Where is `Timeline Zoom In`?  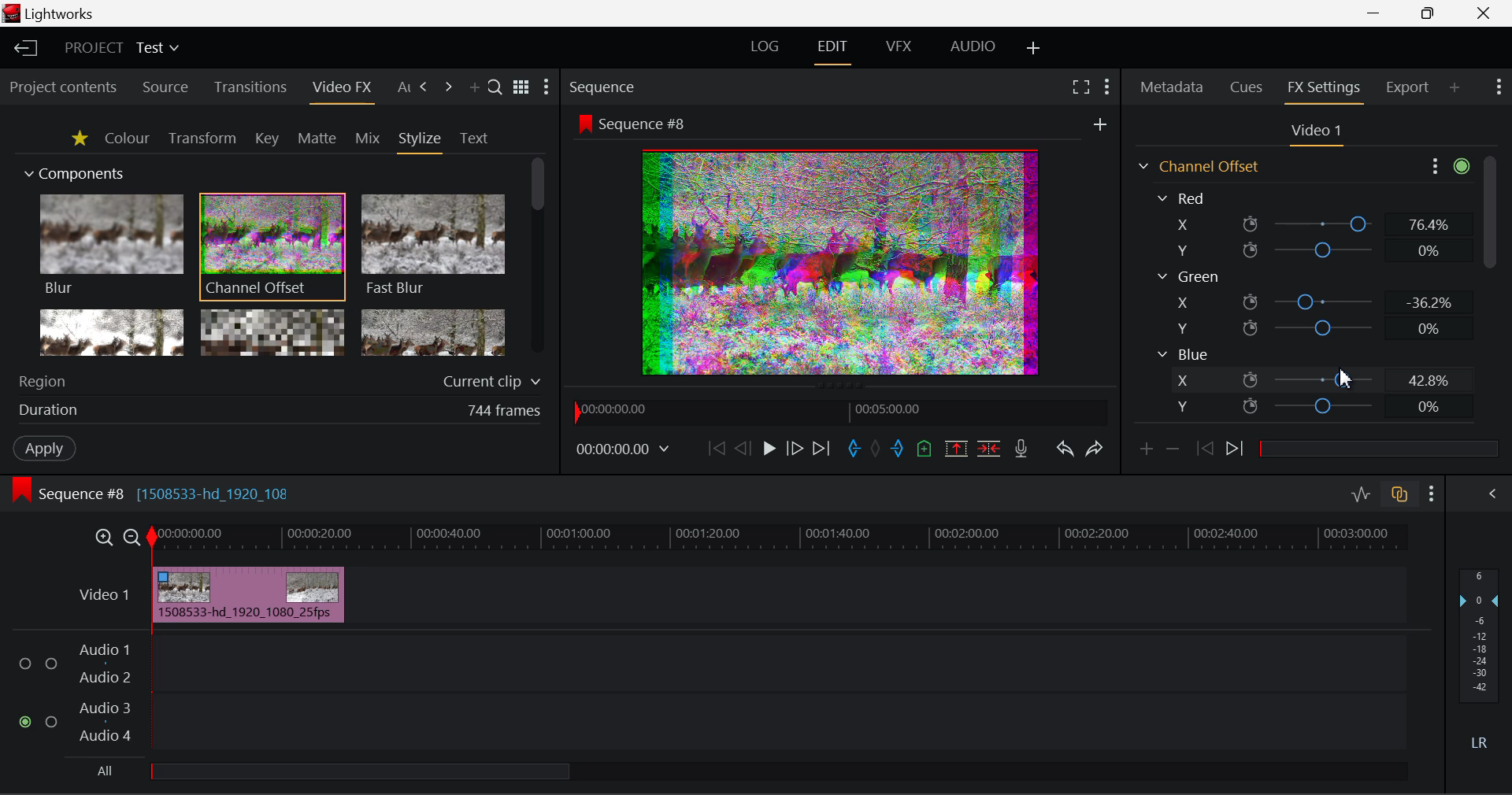 Timeline Zoom In is located at coordinates (103, 539).